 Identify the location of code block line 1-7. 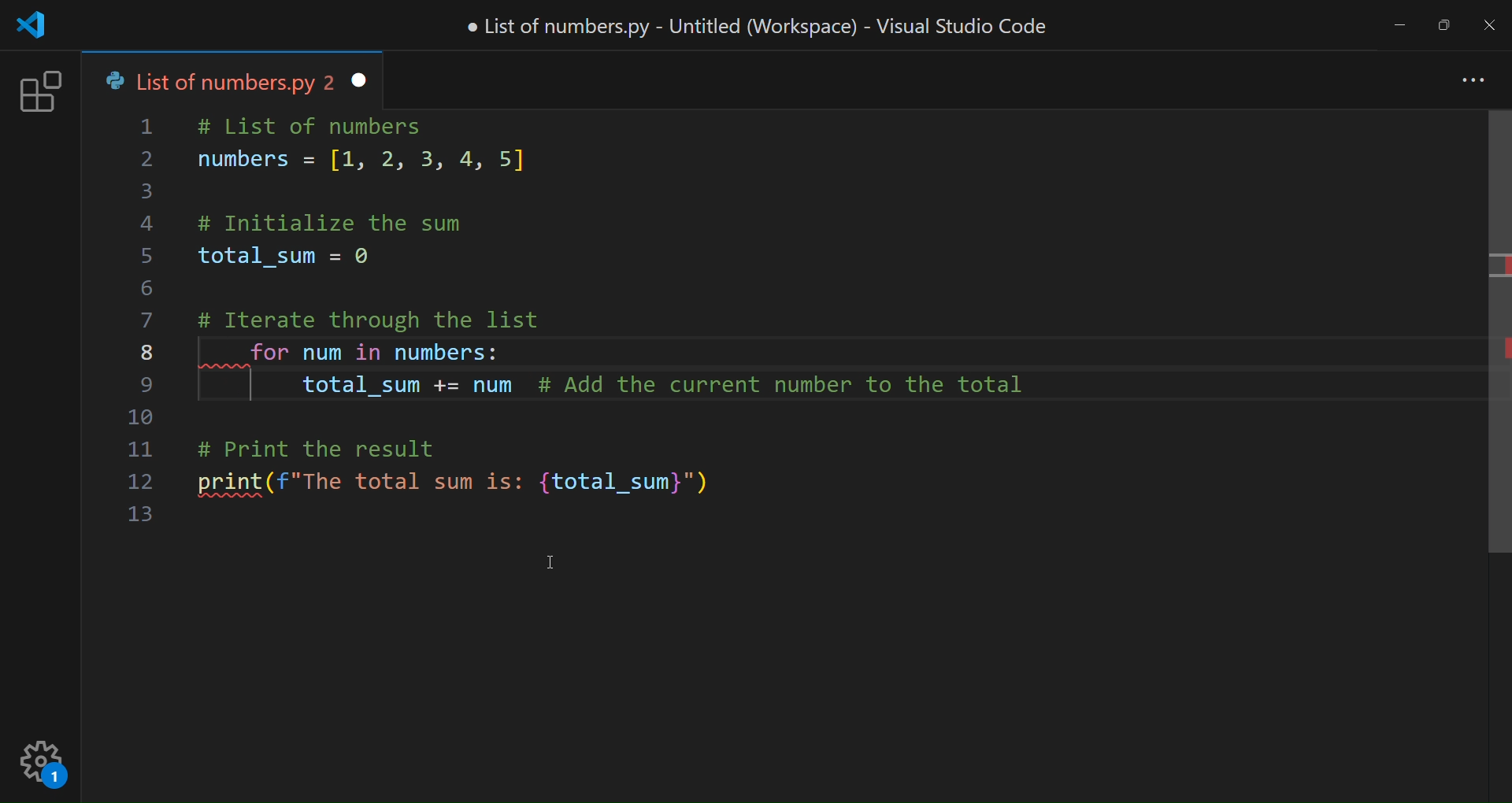
(409, 220).